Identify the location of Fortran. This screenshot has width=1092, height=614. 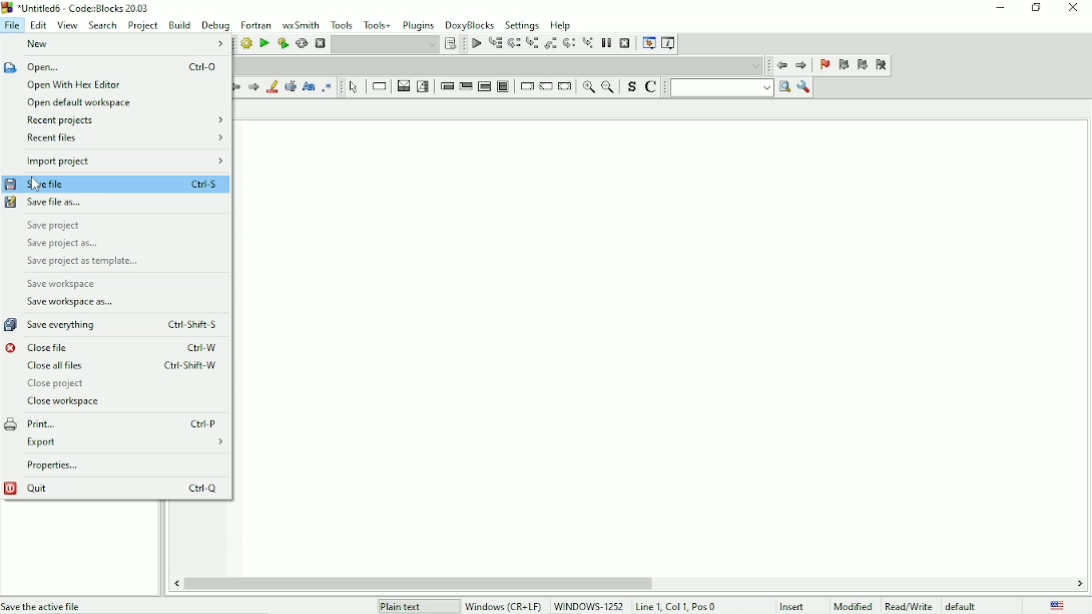
(256, 24).